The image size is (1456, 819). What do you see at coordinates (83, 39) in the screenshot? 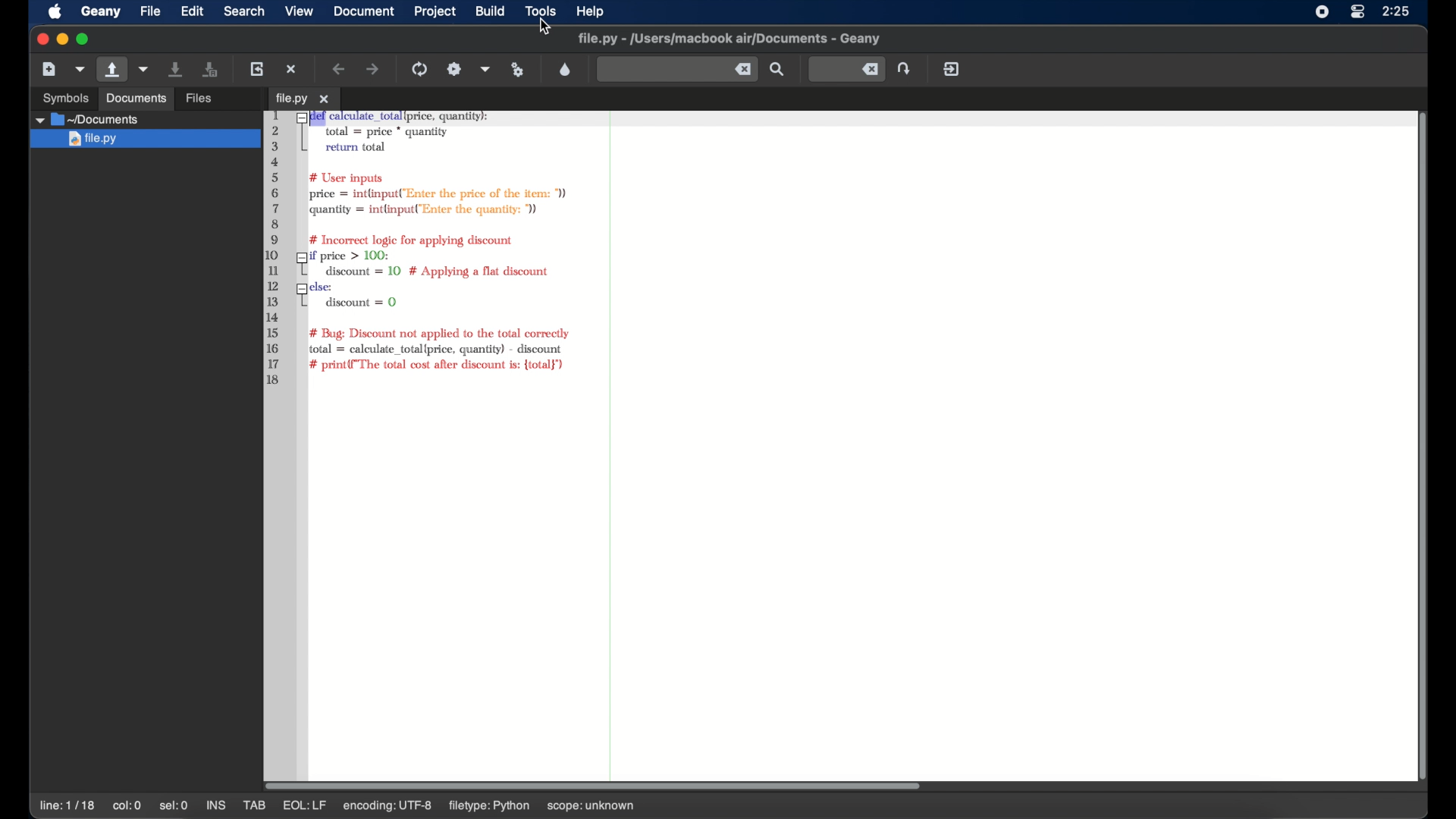
I see `maximize` at bounding box center [83, 39].